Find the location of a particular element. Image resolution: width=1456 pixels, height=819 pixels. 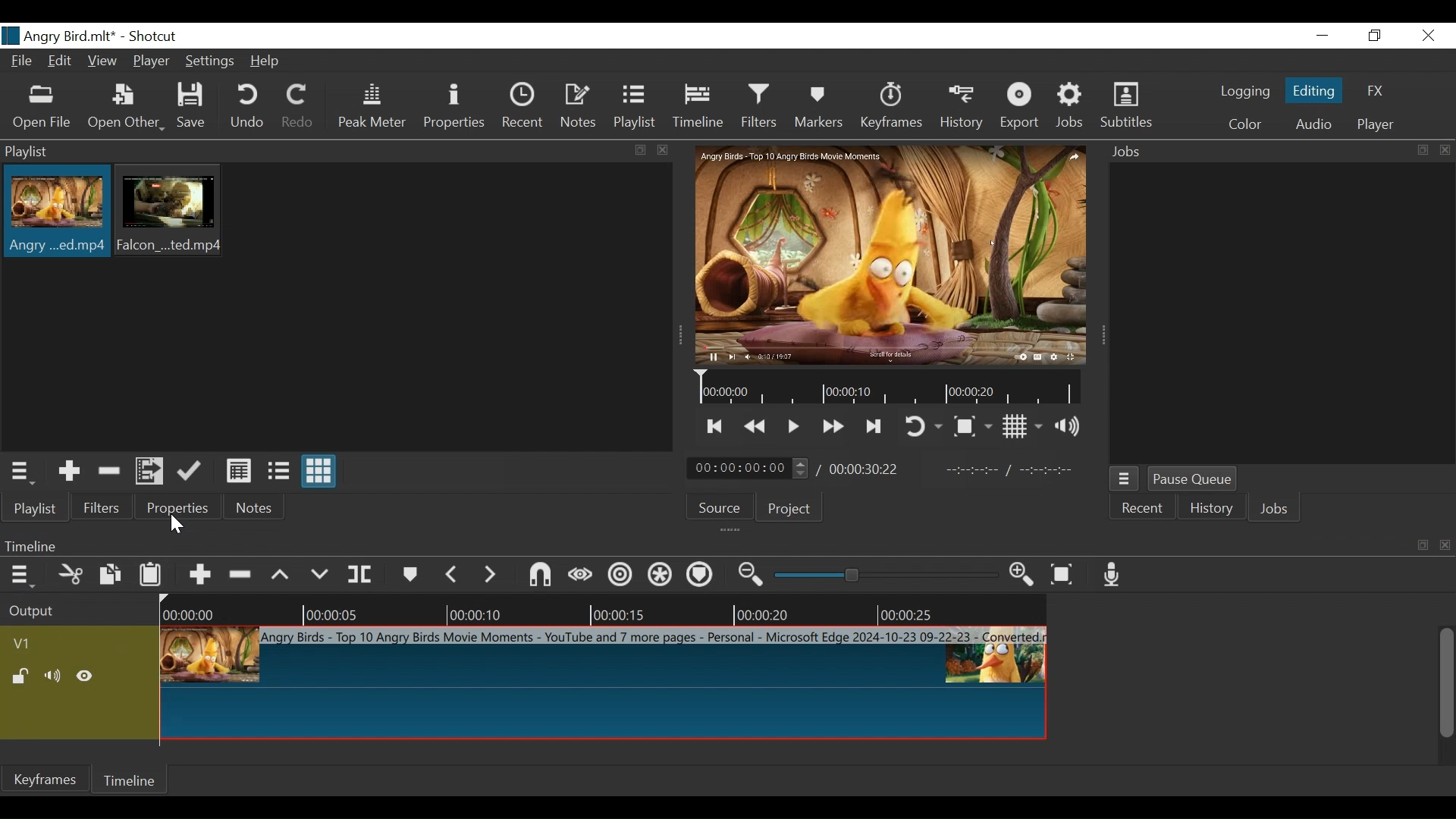

Toggle Zoom is located at coordinates (972, 427).